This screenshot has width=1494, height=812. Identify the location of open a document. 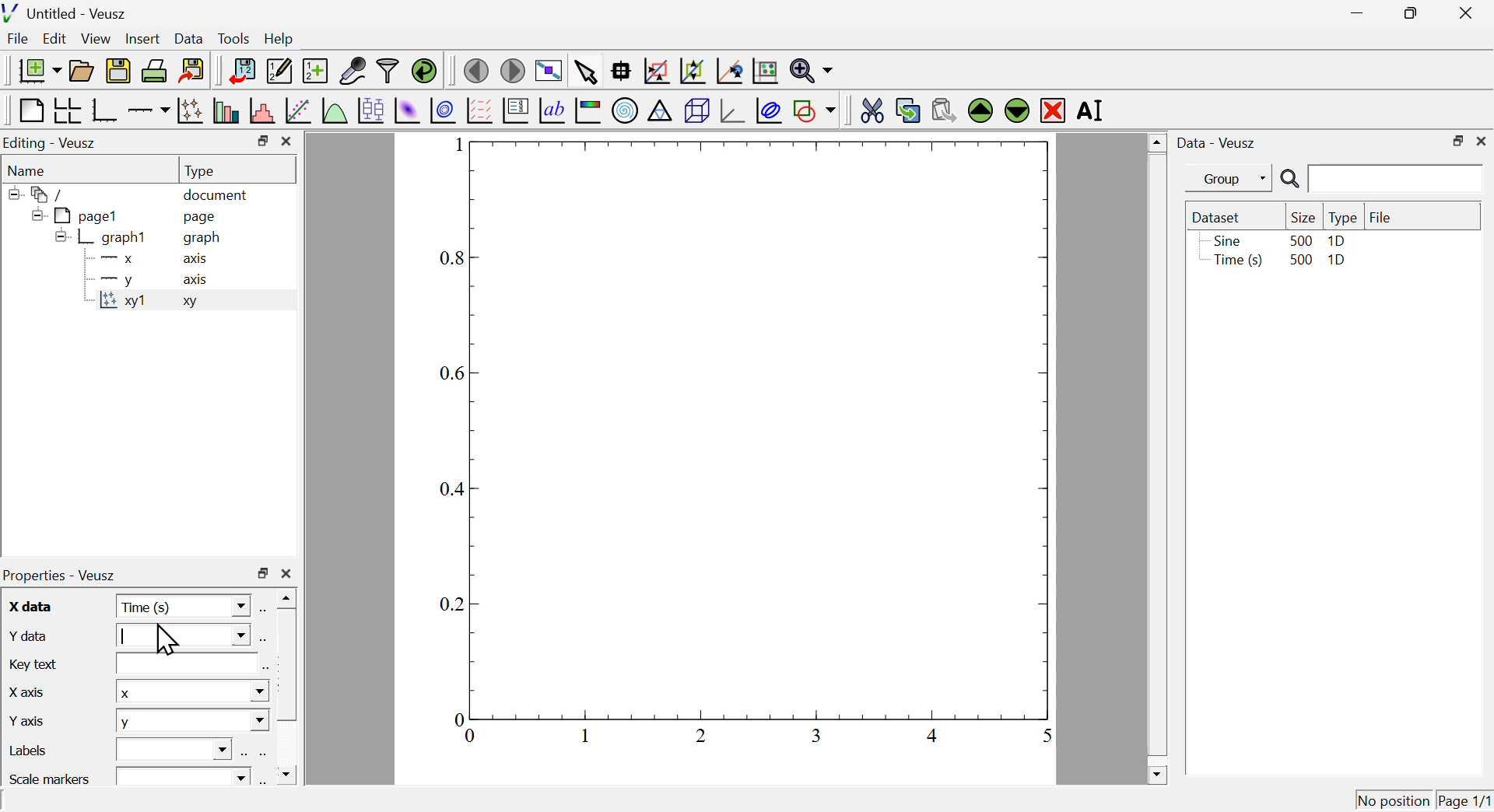
(83, 69).